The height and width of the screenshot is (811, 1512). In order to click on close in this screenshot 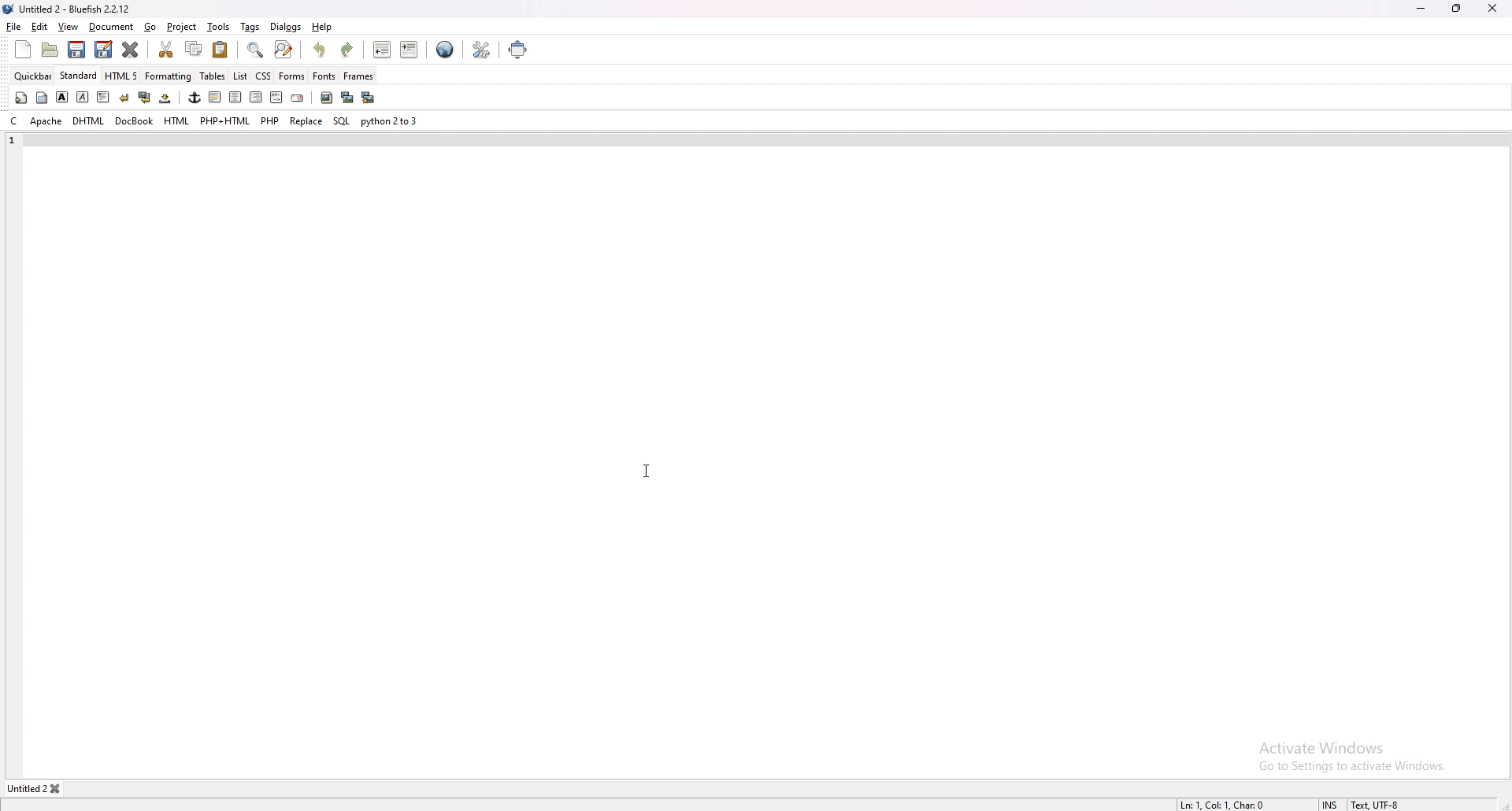, I will do `click(1493, 9)`.